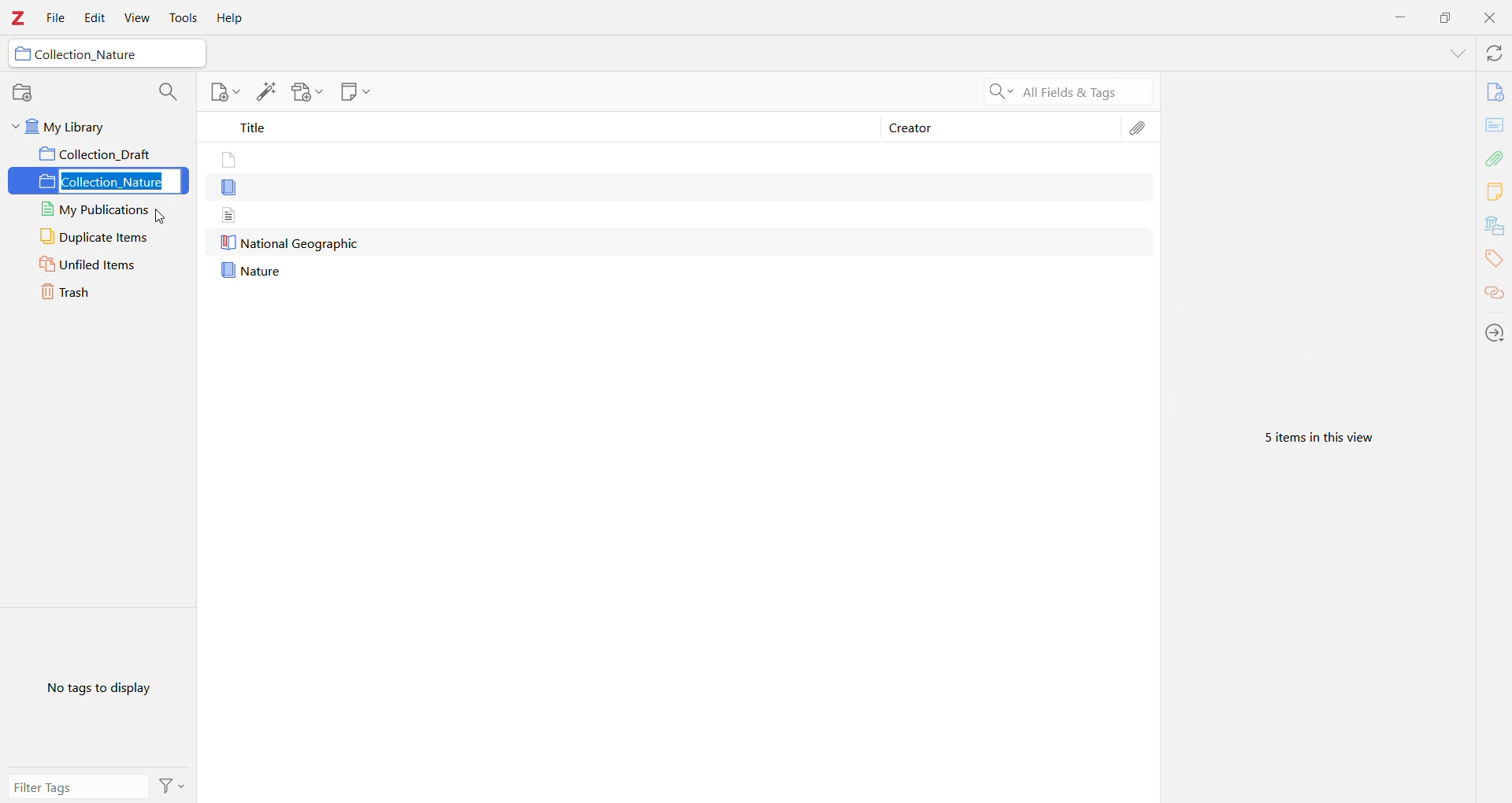  Describe the element at coordinates (98, 128) in the screenshot. I see `My Library` at that location.